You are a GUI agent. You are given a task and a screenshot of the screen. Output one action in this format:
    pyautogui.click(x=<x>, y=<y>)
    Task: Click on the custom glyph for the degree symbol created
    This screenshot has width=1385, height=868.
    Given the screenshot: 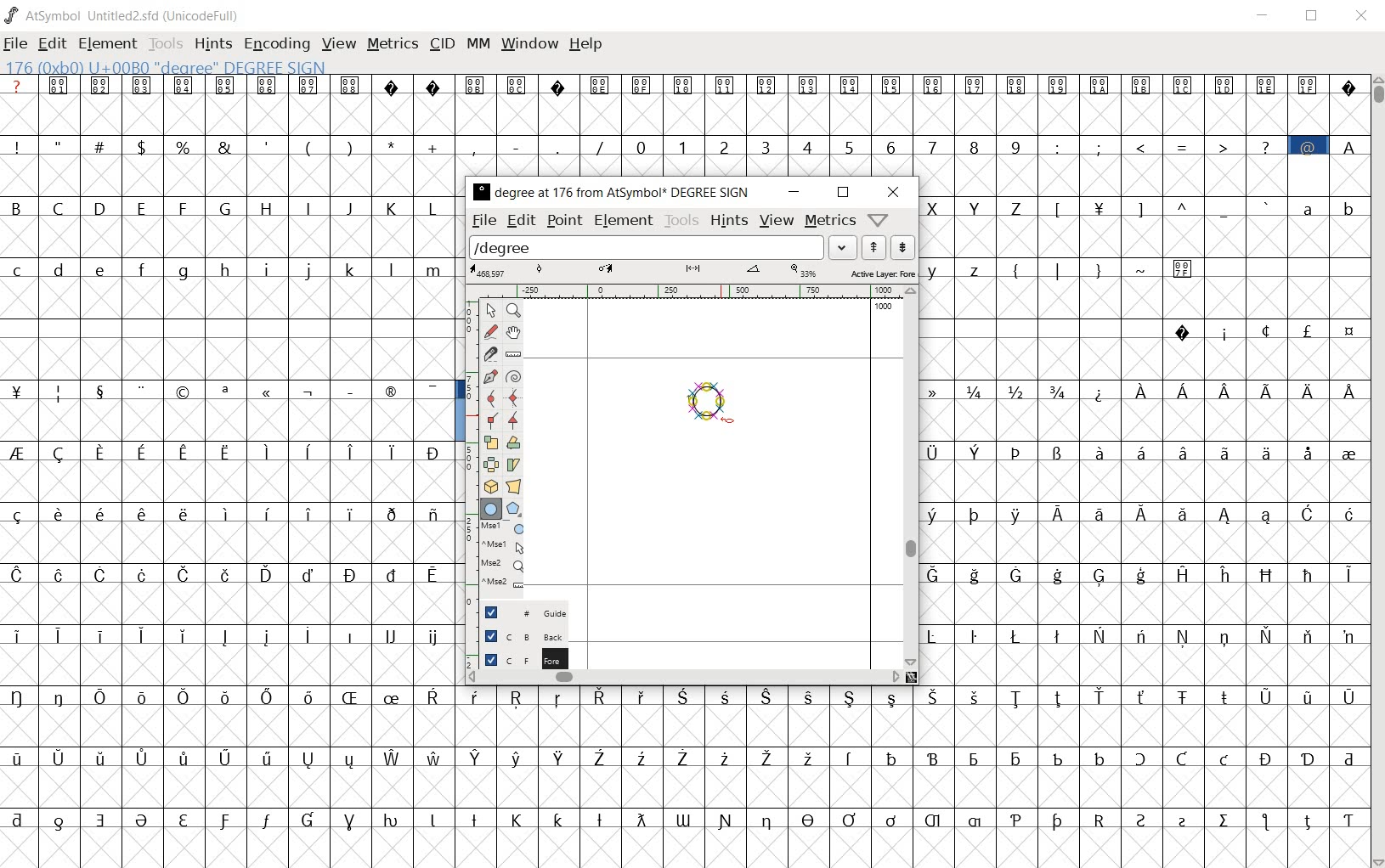 What is the action you would take?
    pyautogui.click(x=714, y=411)
    